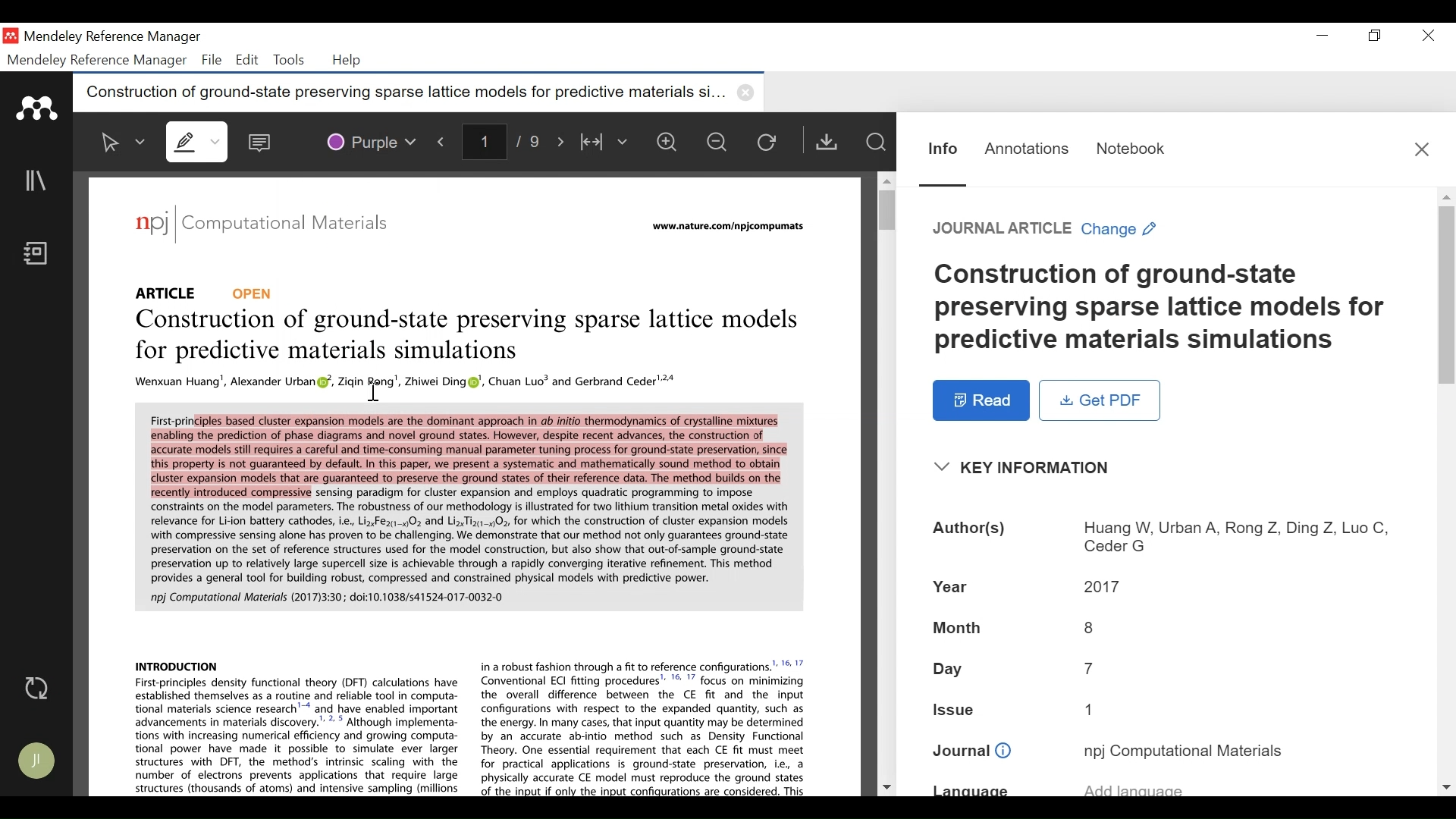 This screenshot has height=819, width=1456. I want to click on Restore, so click(1376, 36).